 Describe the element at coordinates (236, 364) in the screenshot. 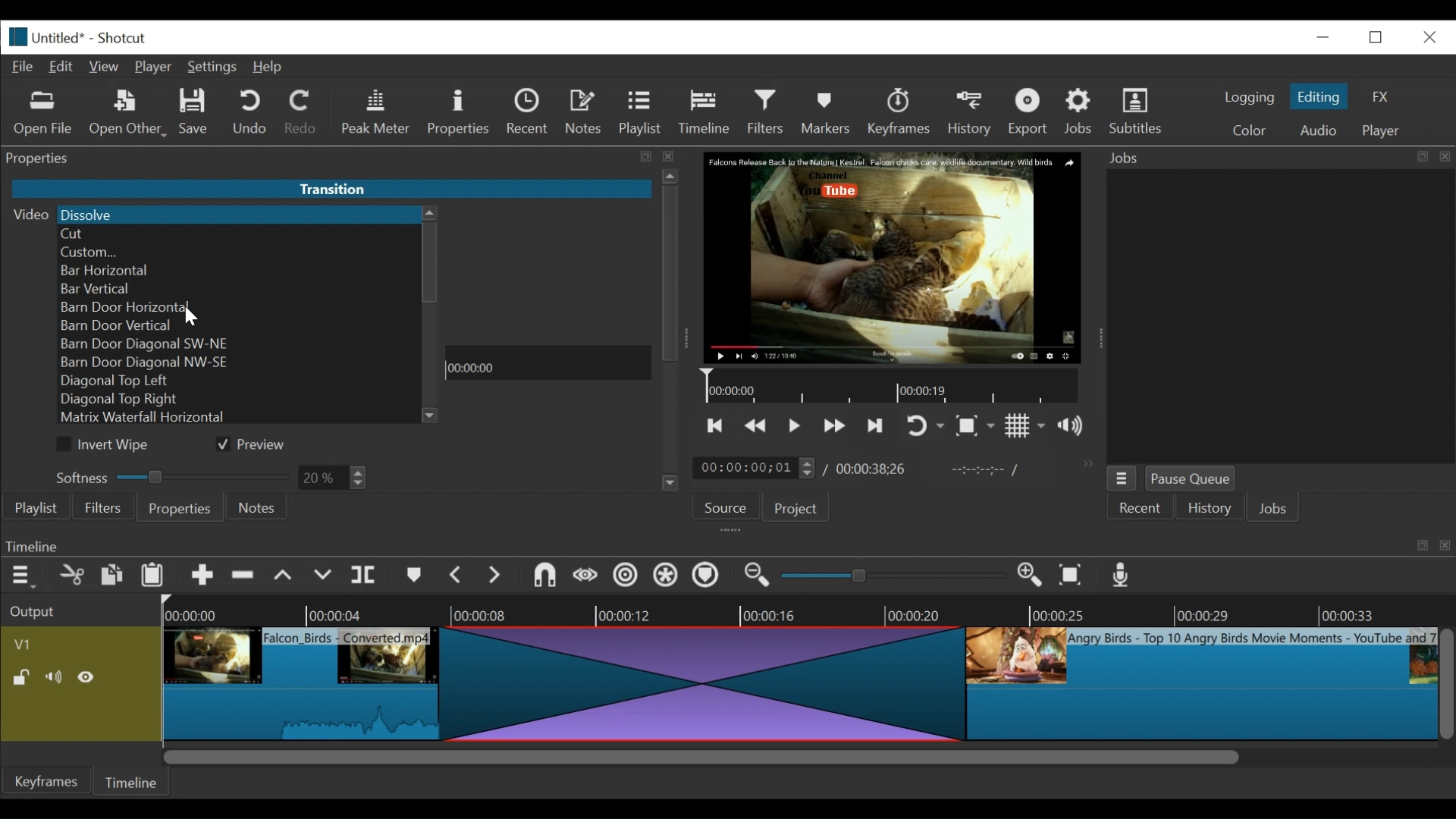

I see `Barn Door Diagonal NW-SE` at that location.